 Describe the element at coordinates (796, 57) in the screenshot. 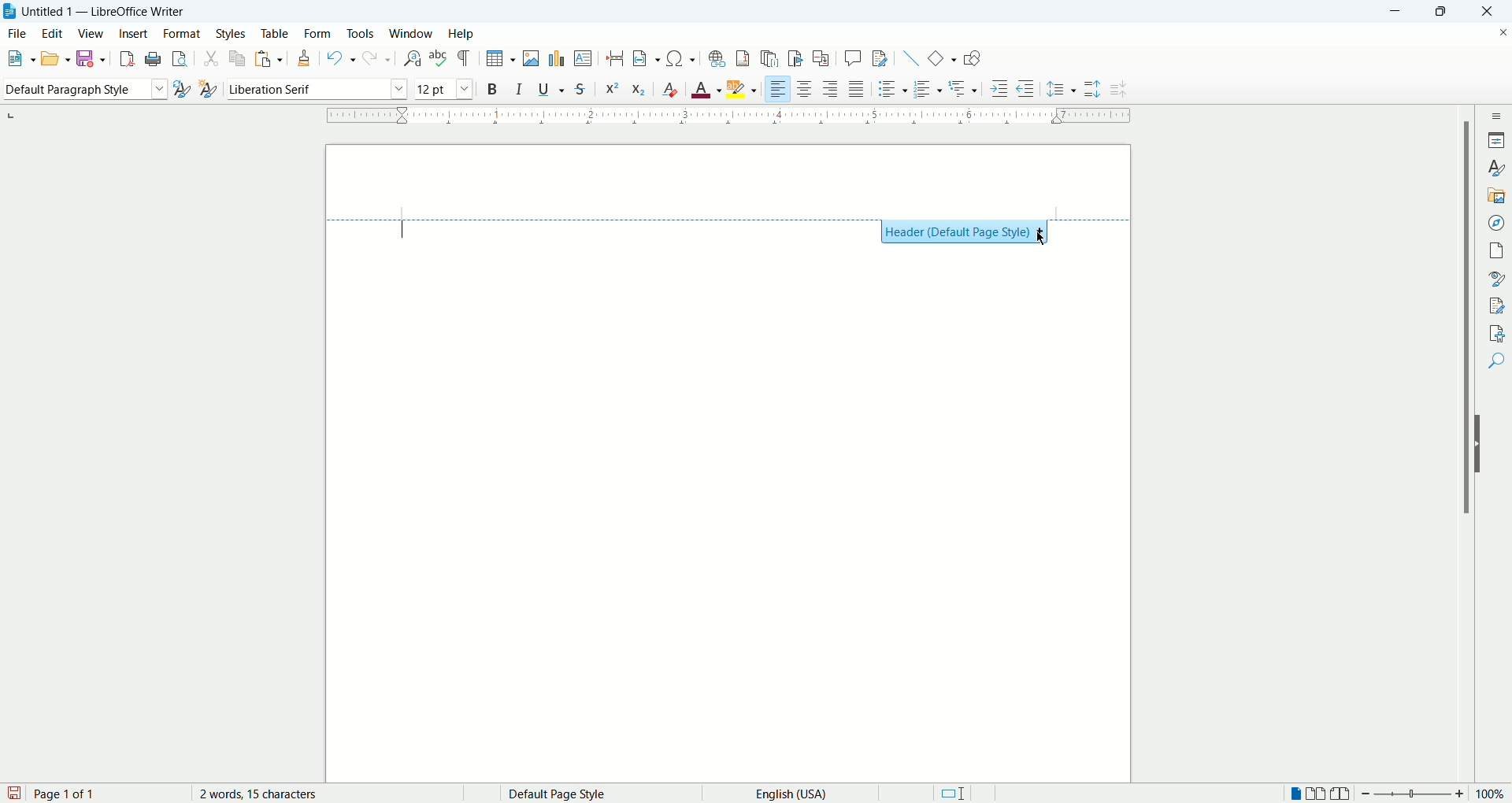

I see `insert bookmark` at that location.